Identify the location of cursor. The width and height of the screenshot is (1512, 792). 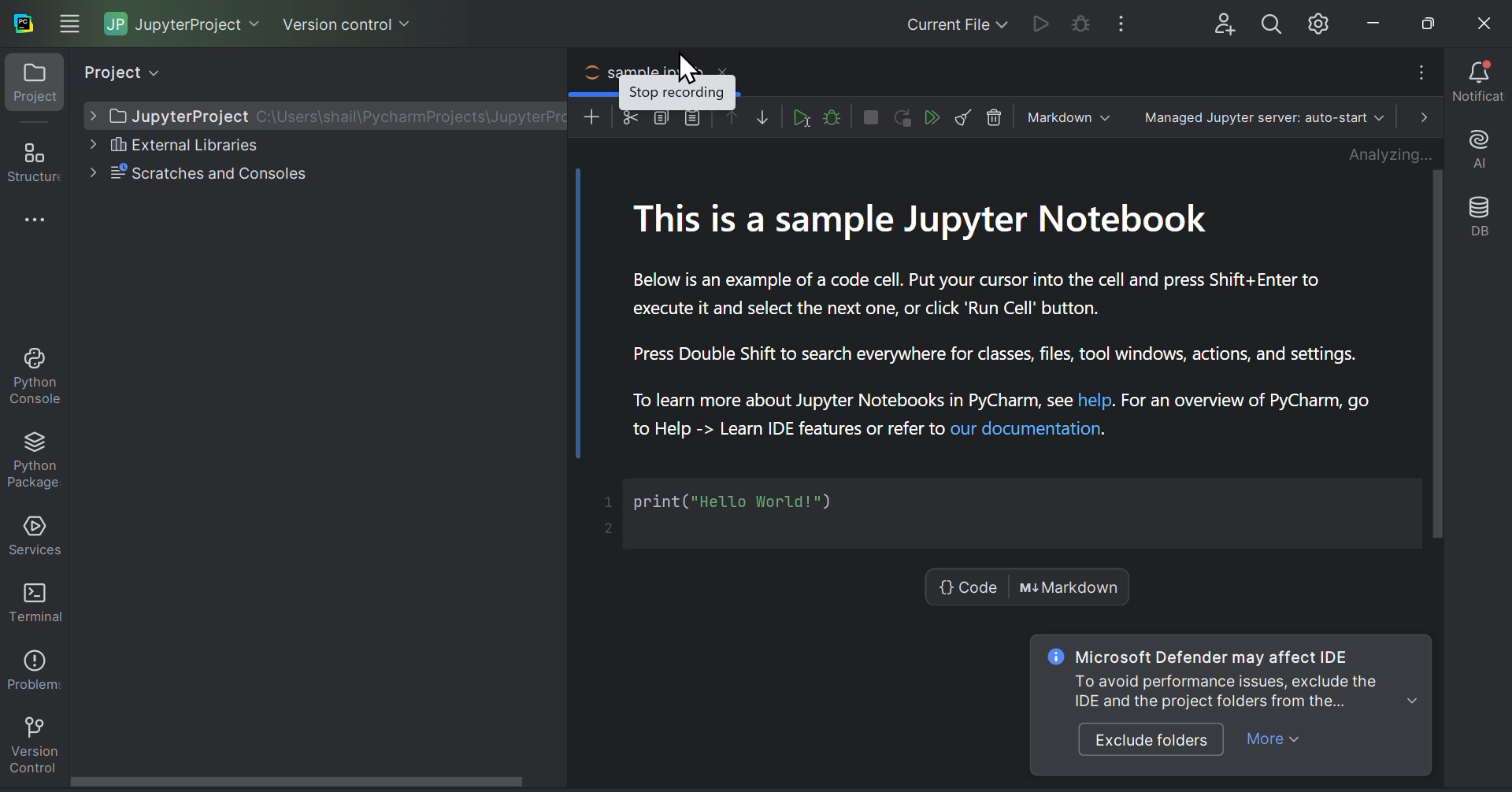
(683, 67).